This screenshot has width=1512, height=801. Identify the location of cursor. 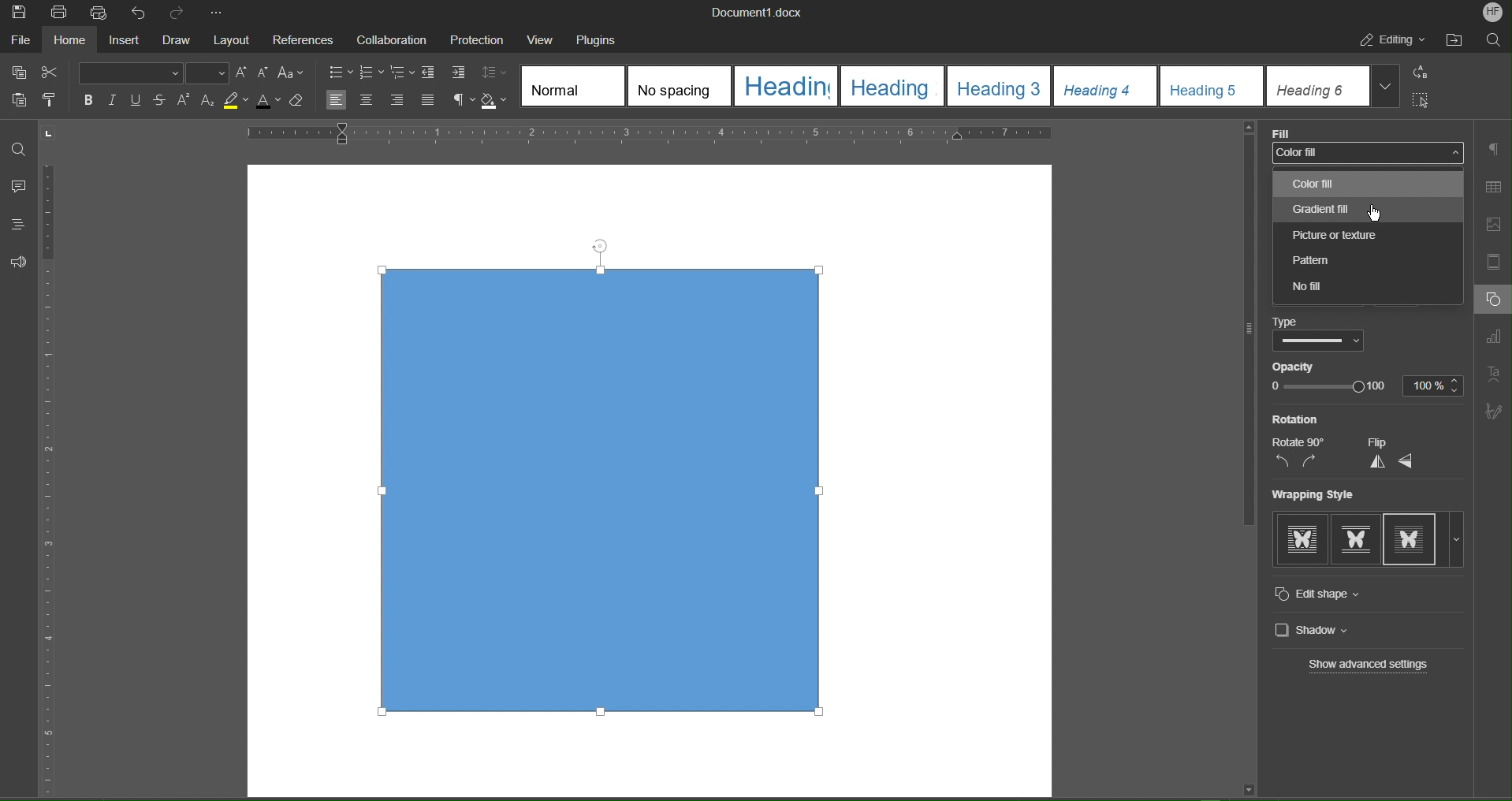
(1385, 209).